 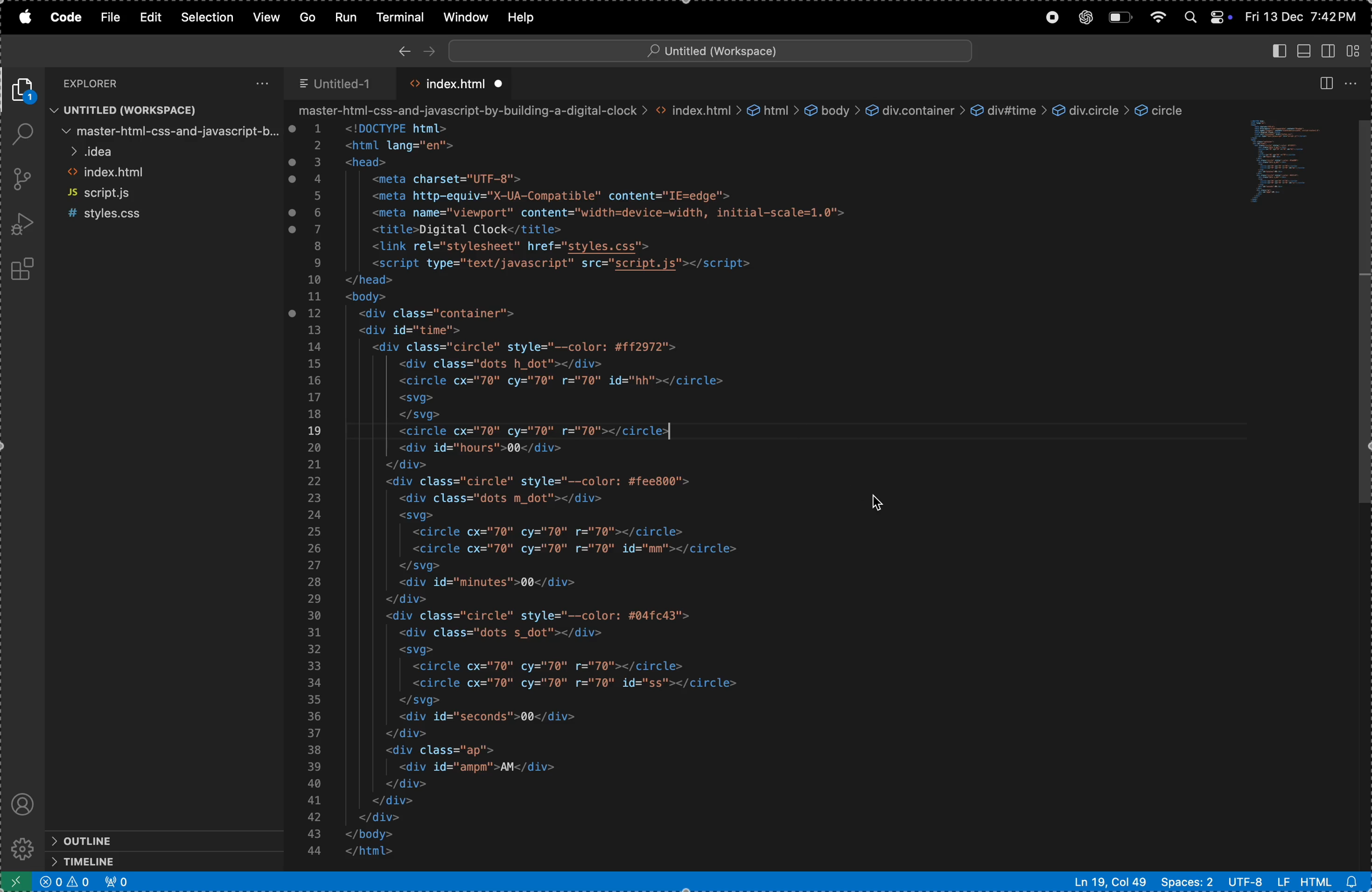 What do you see at coordinates (1307, 50) in the screenshot?
I see `toggle panel` at bounding box center [1307, 50].